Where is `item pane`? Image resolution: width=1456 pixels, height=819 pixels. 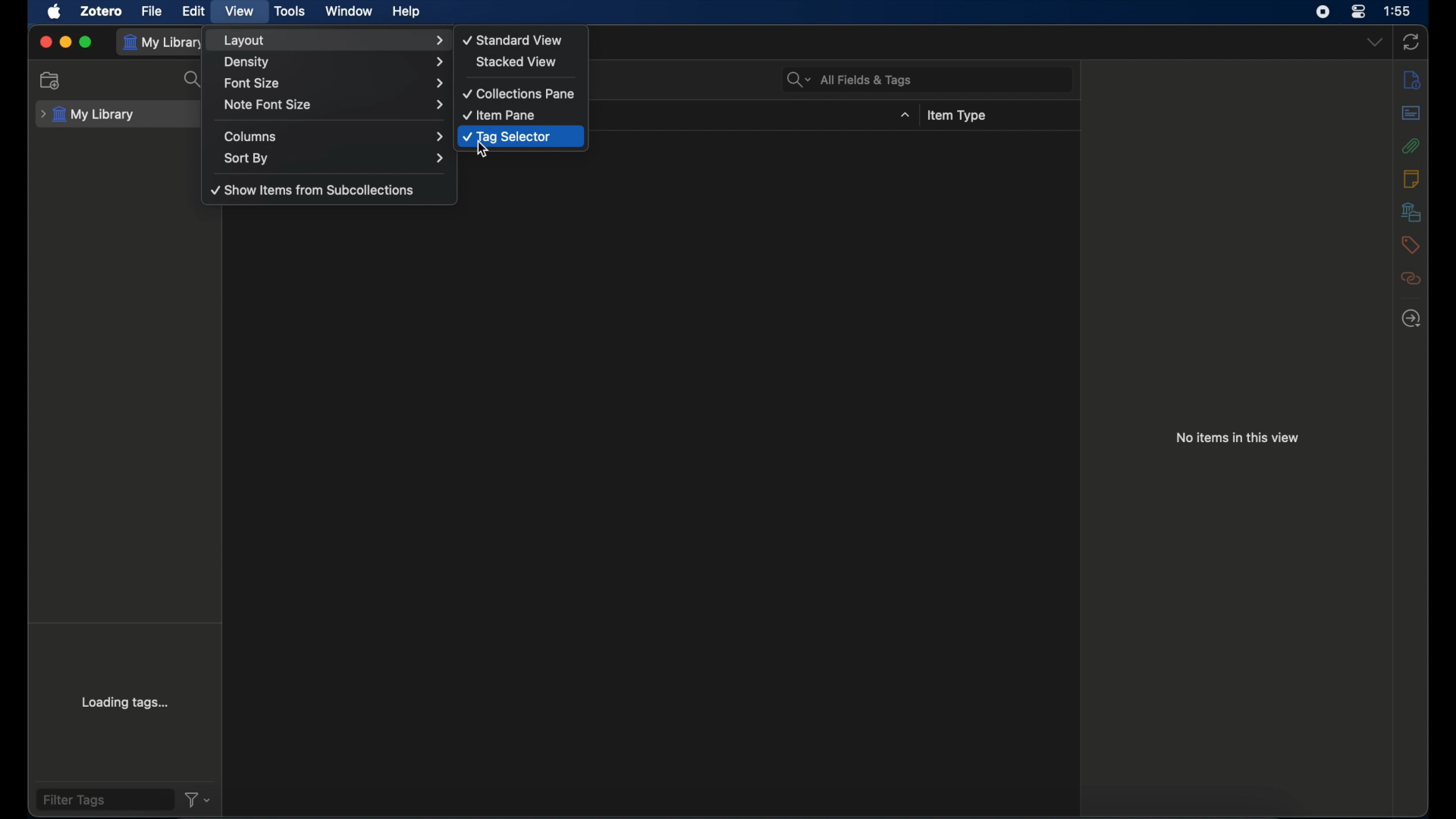
item pane is located at coordinates (500, 115).